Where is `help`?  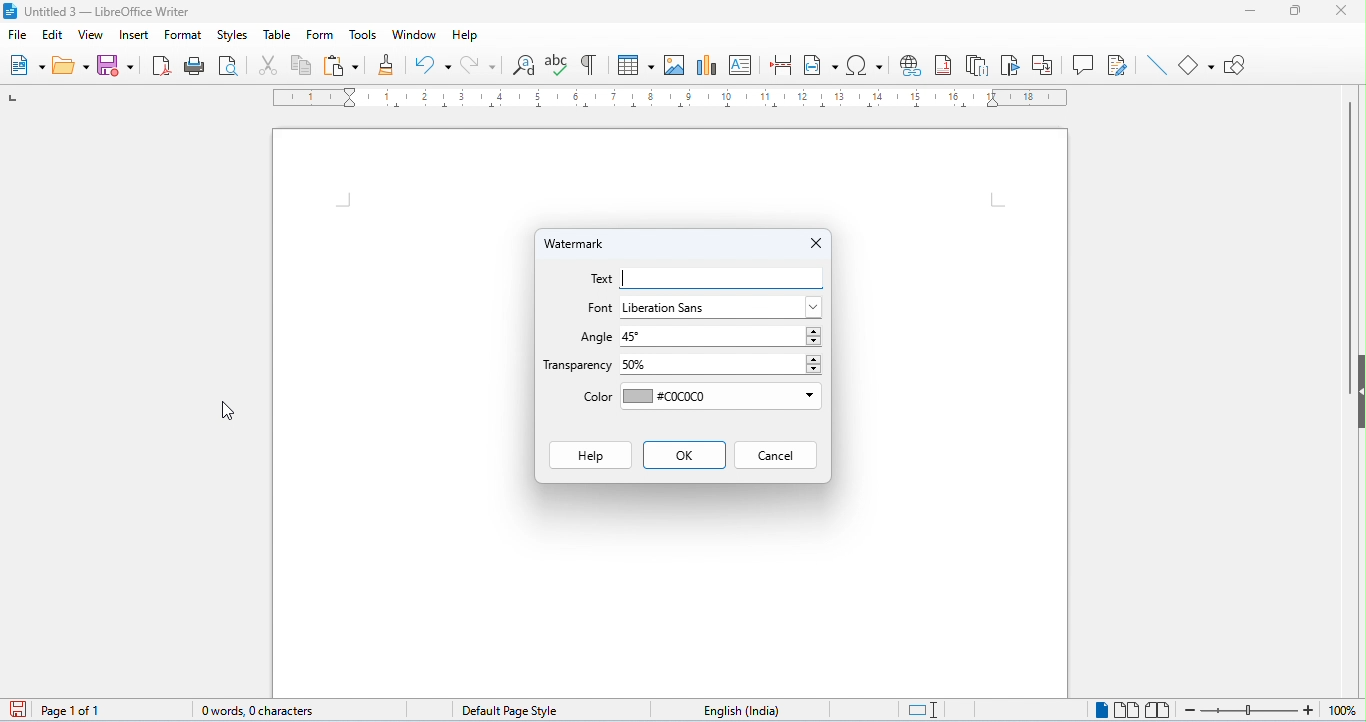 help is located at coordinates (465, 36).